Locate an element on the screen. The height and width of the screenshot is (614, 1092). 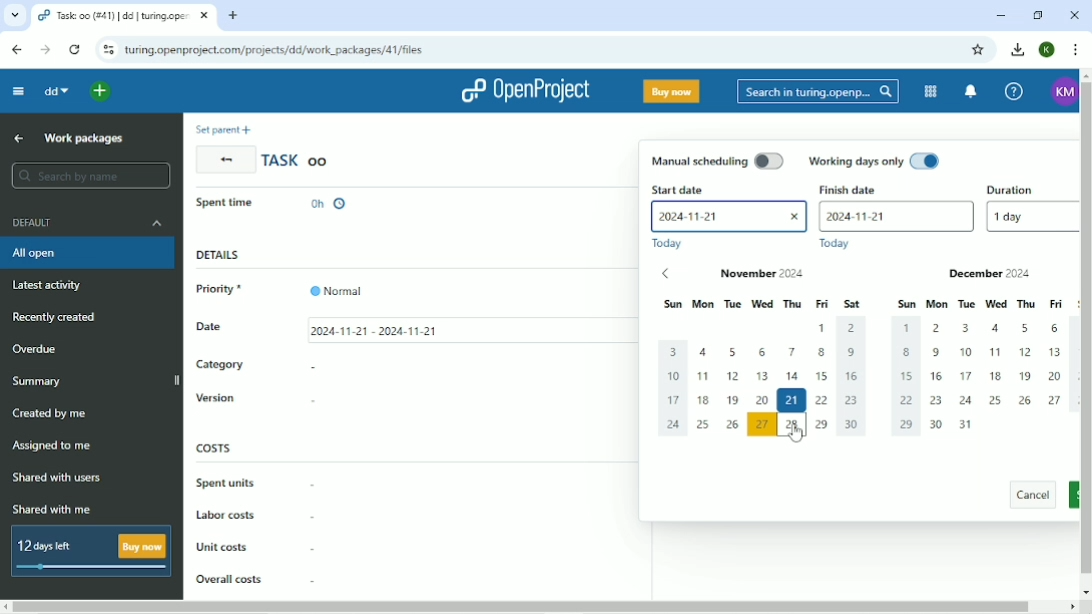
KM is located at coordinates (1060, 90).